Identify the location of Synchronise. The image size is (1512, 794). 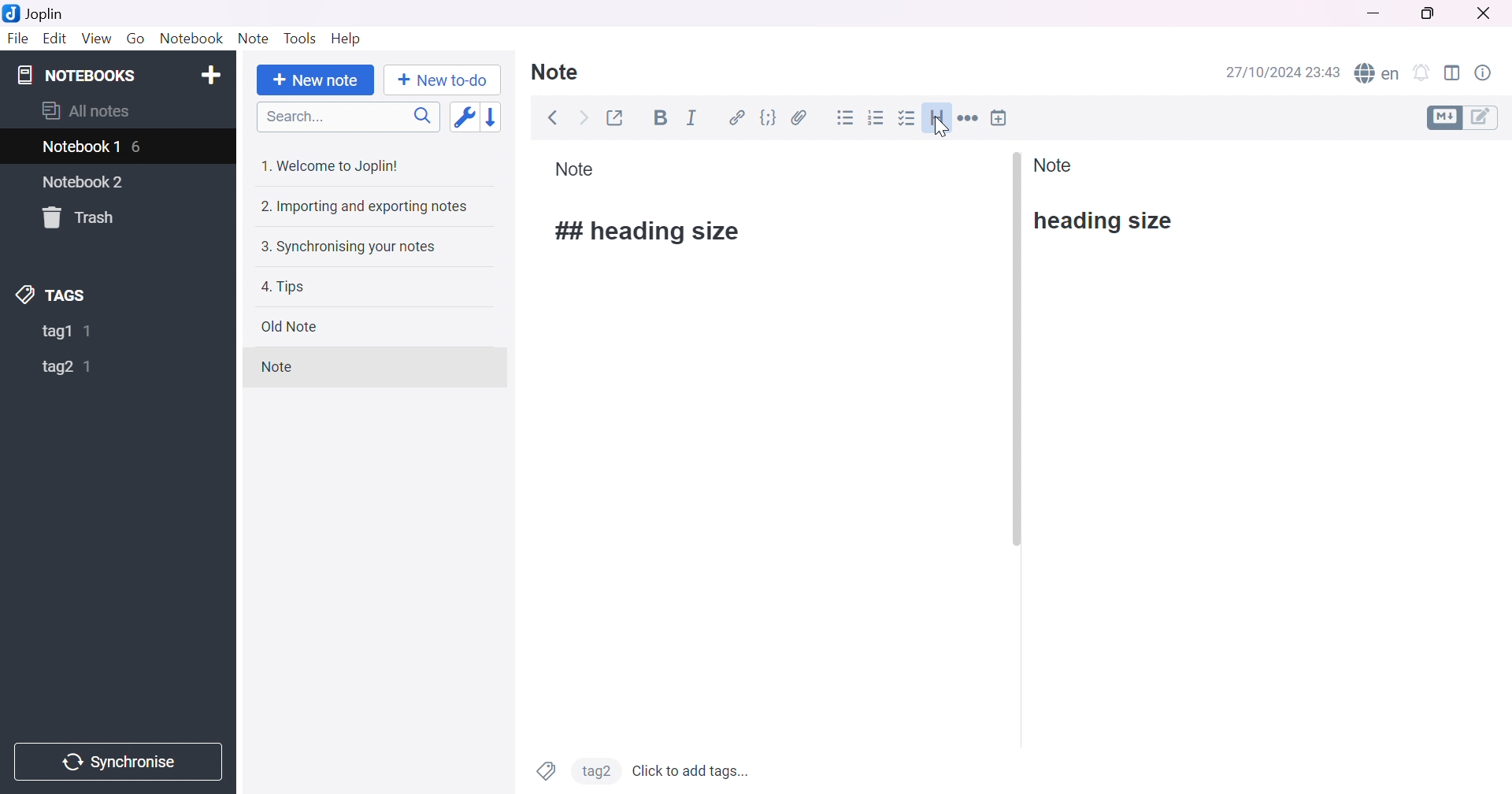
(117, 762).